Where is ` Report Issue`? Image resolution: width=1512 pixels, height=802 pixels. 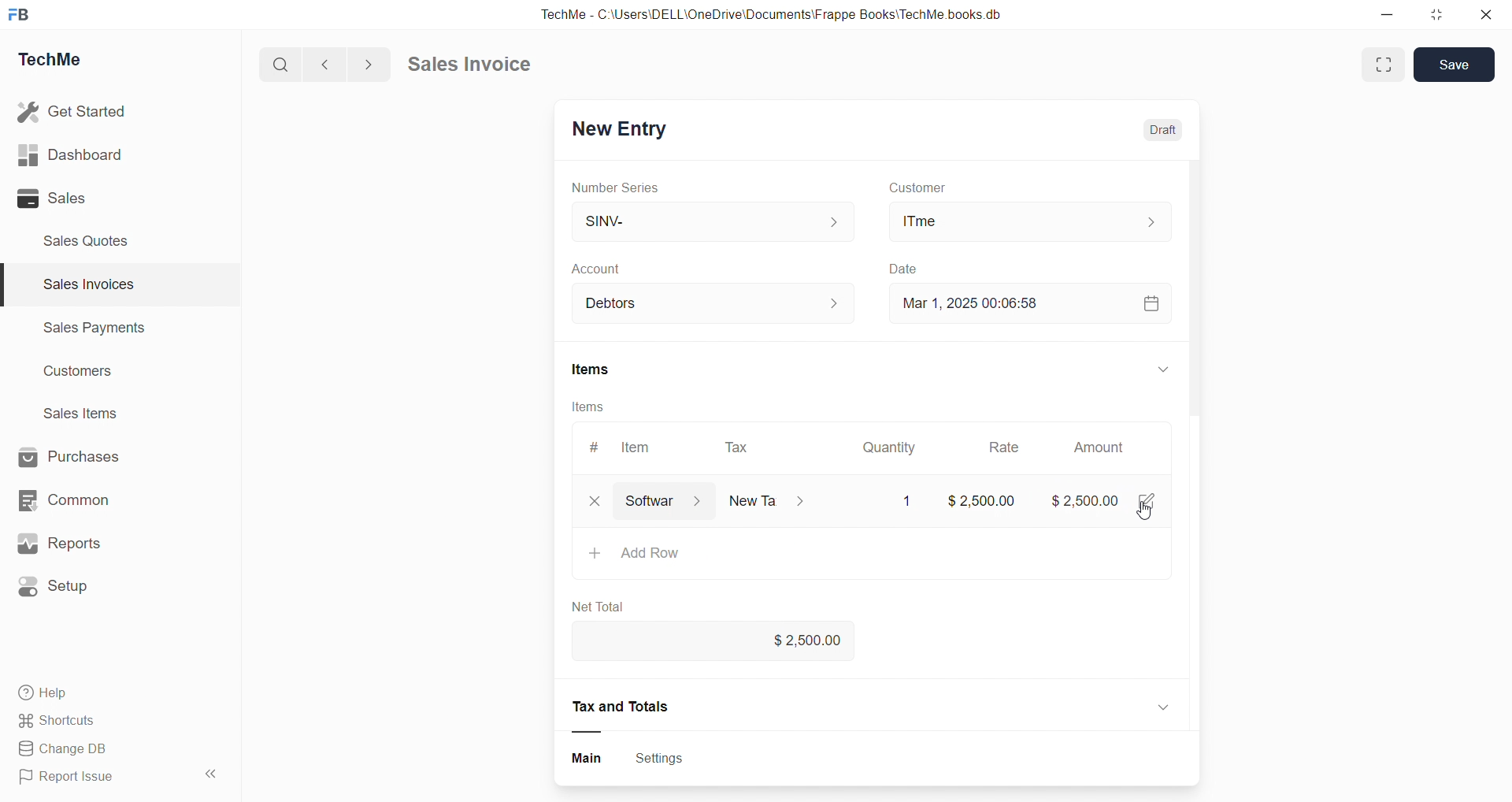
 Report Issue is located at coordinates (73, 779).